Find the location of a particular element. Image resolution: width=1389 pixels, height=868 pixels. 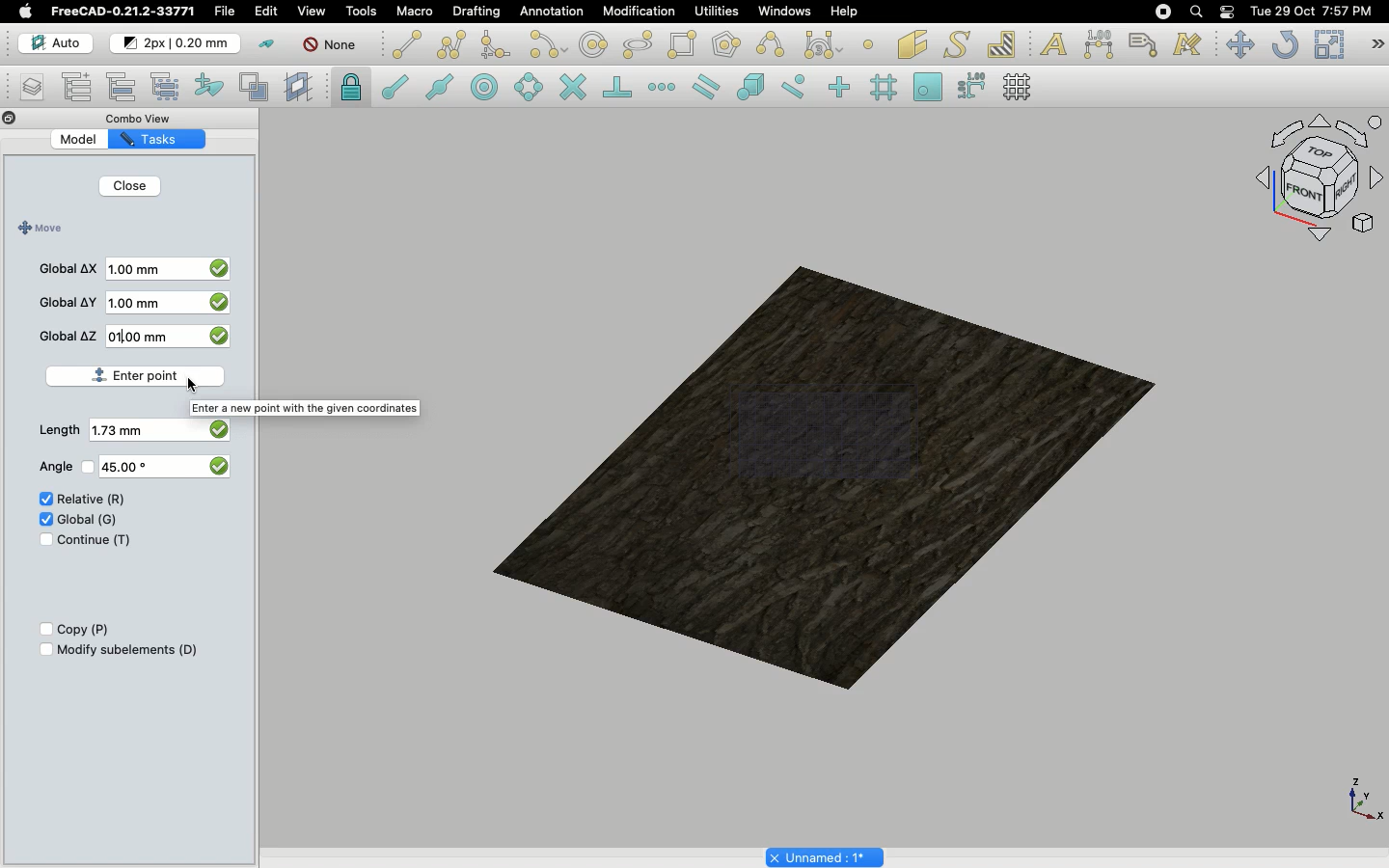

Tasks is located at coordinates (168, 138).